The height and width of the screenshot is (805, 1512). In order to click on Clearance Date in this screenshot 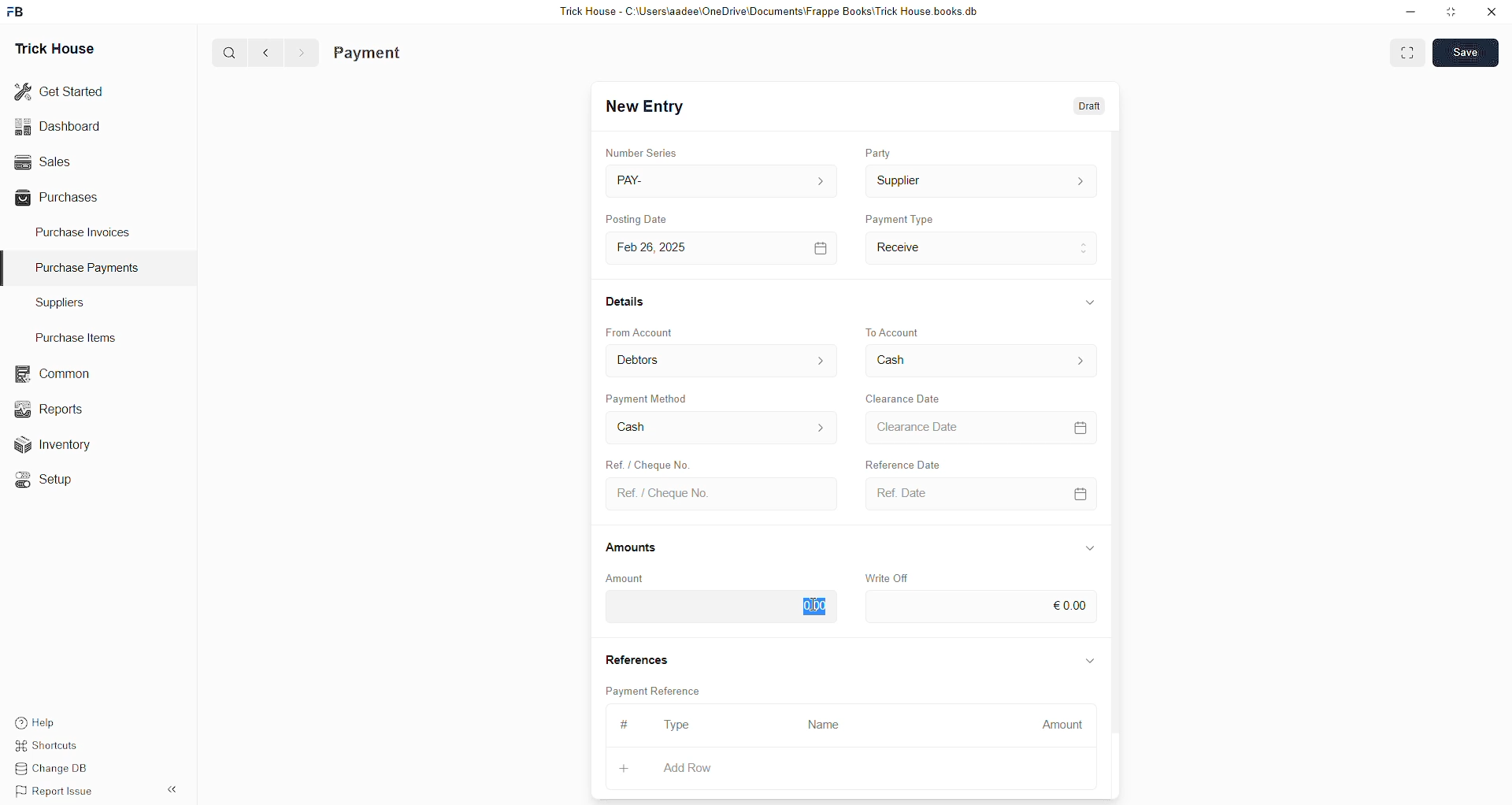, I will do `click(905, 397)`.